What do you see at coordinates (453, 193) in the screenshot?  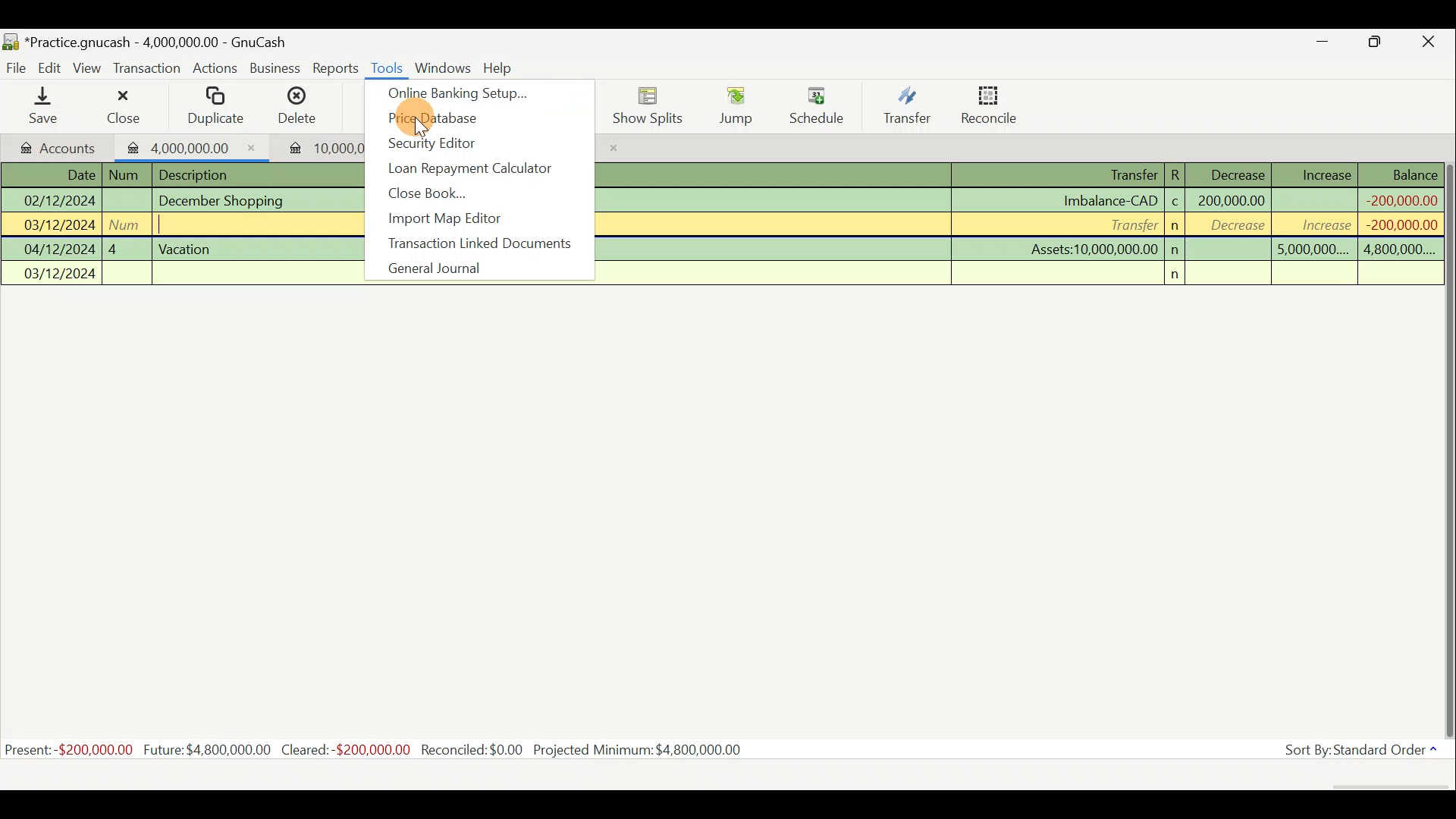 I see `Close book` at bounding box center [453, 193].